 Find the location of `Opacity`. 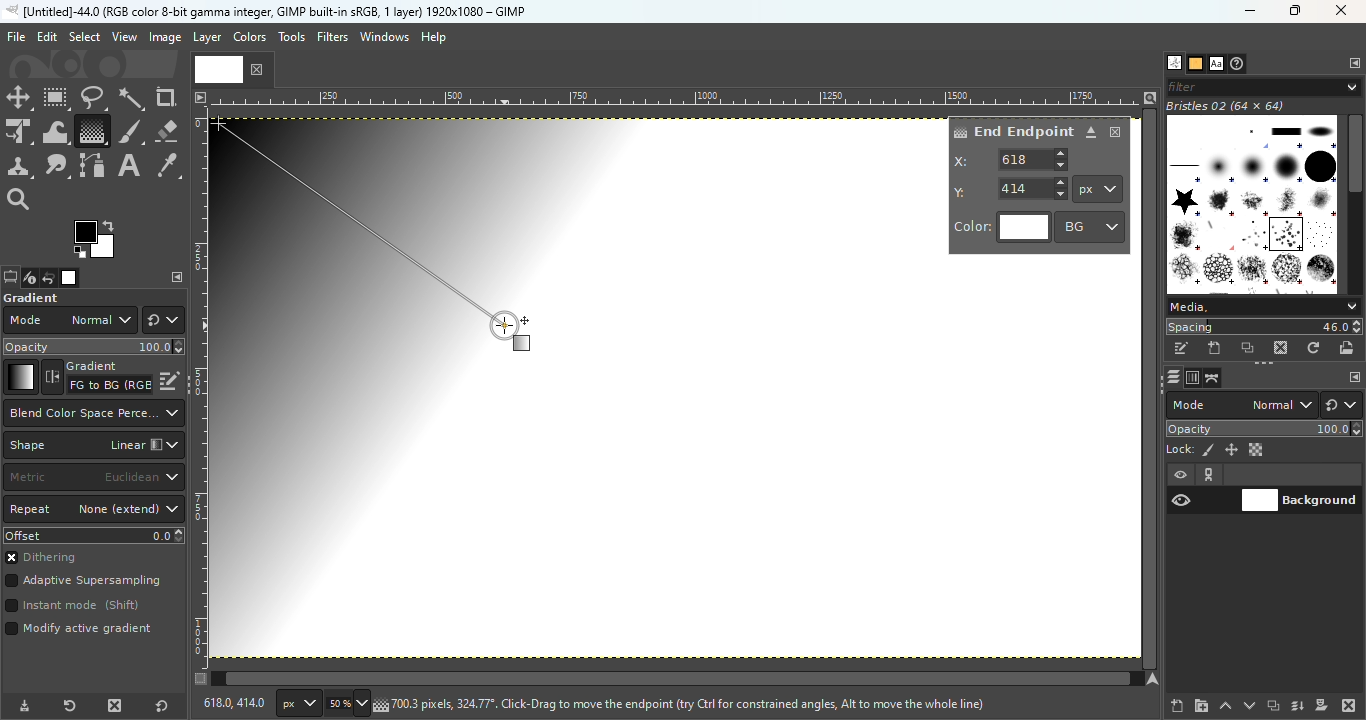

Opacity is located at coordinates (1266, 429).